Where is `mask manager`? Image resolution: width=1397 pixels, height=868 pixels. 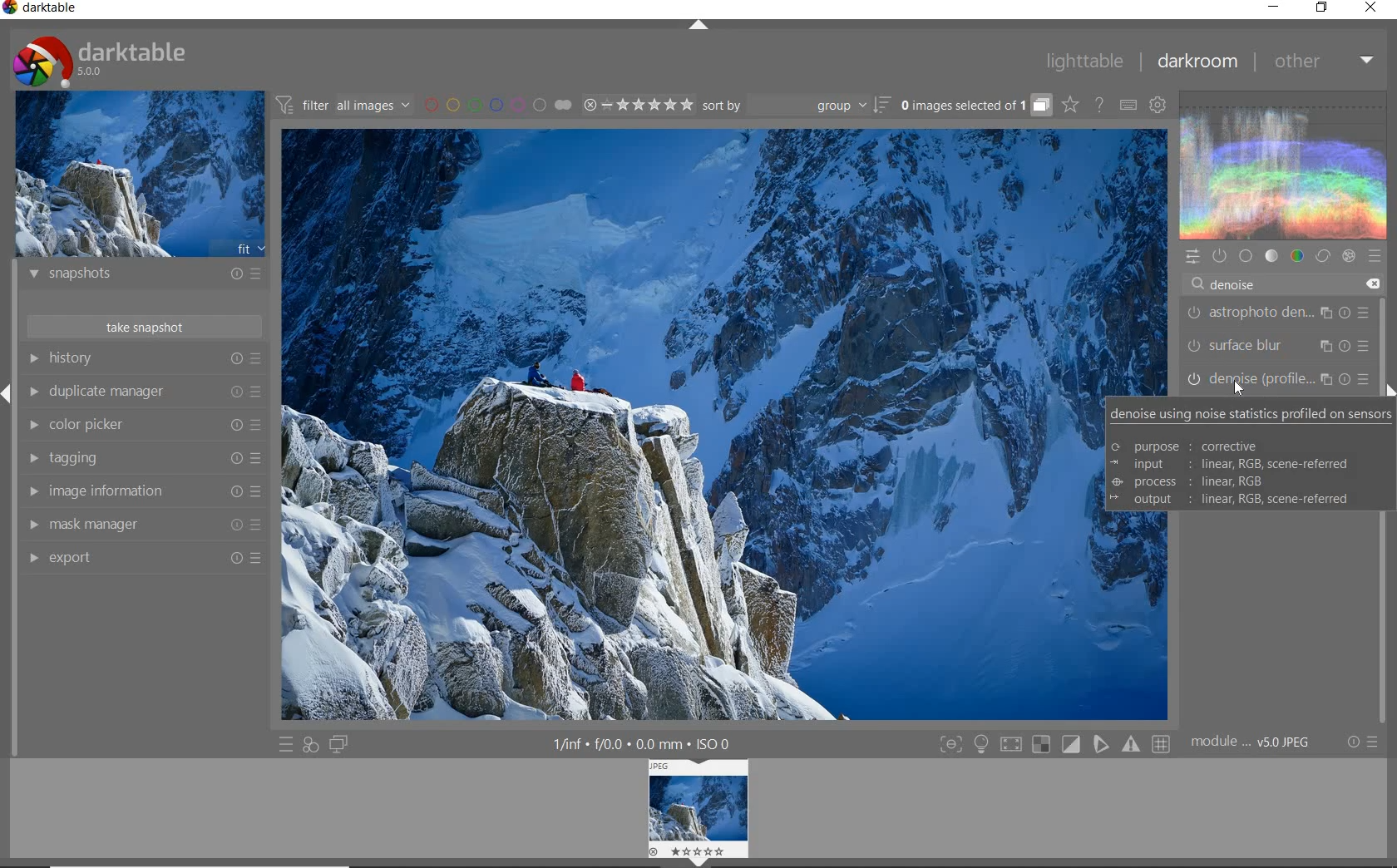 mask manager is located at coordinates (142, 525).